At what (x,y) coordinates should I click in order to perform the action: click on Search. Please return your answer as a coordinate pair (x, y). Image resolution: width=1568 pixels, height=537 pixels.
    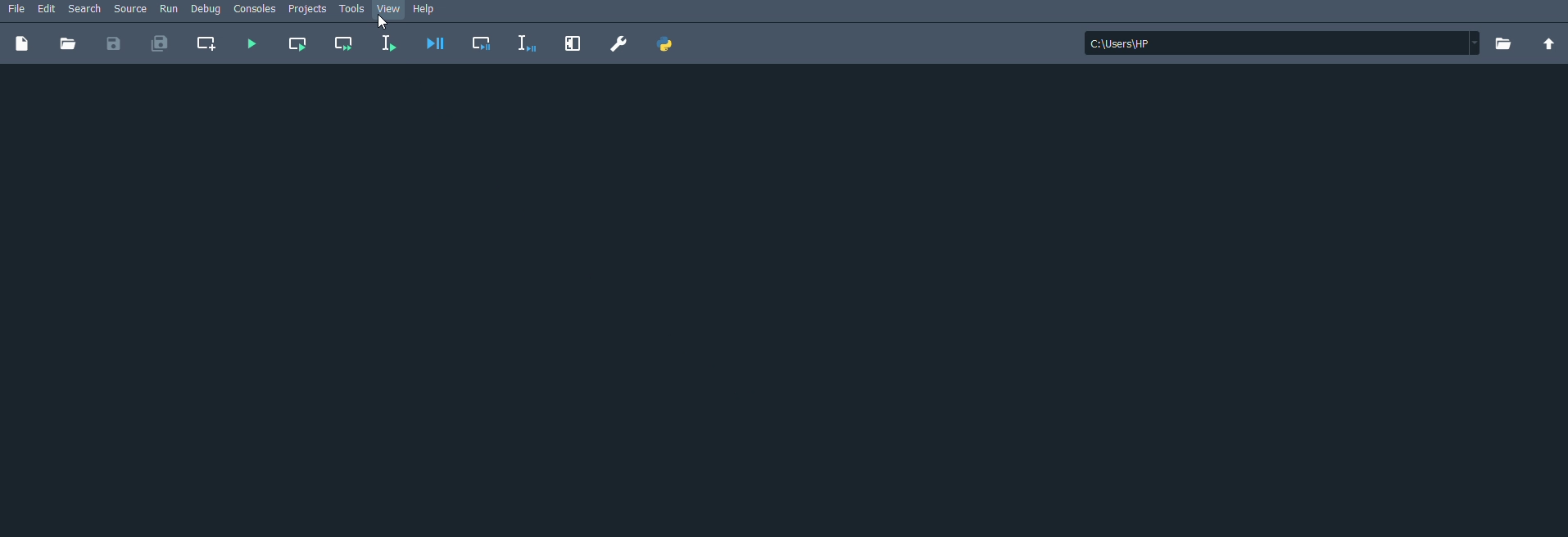
    Looking at the image, I should click on (86, 9).